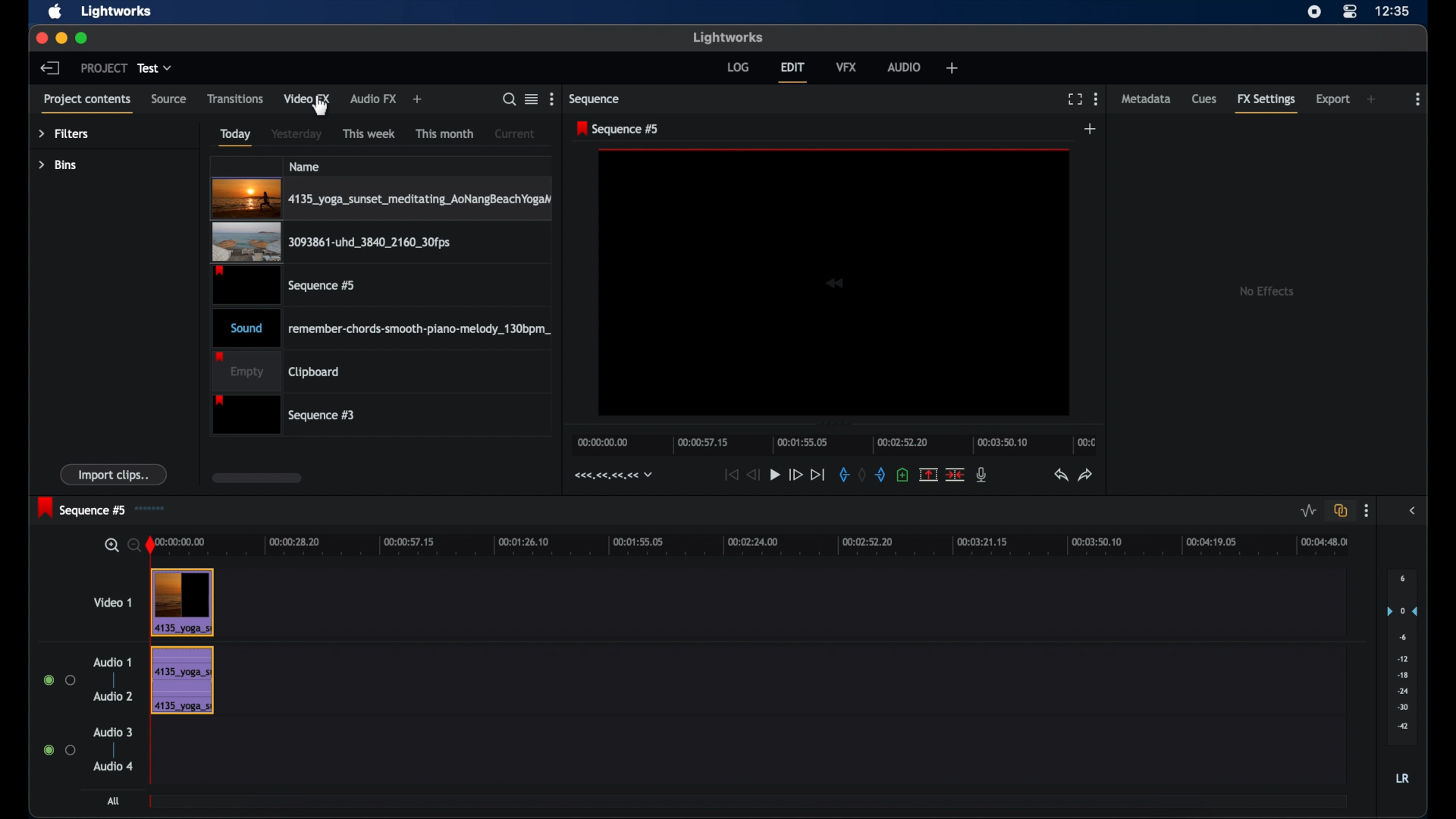 The height and width of the screenshot is (819, 1456). What do you see at coordinates (1402, 658) in the screenshot?
I see `audio output level` at bounding box center [1402, 658].